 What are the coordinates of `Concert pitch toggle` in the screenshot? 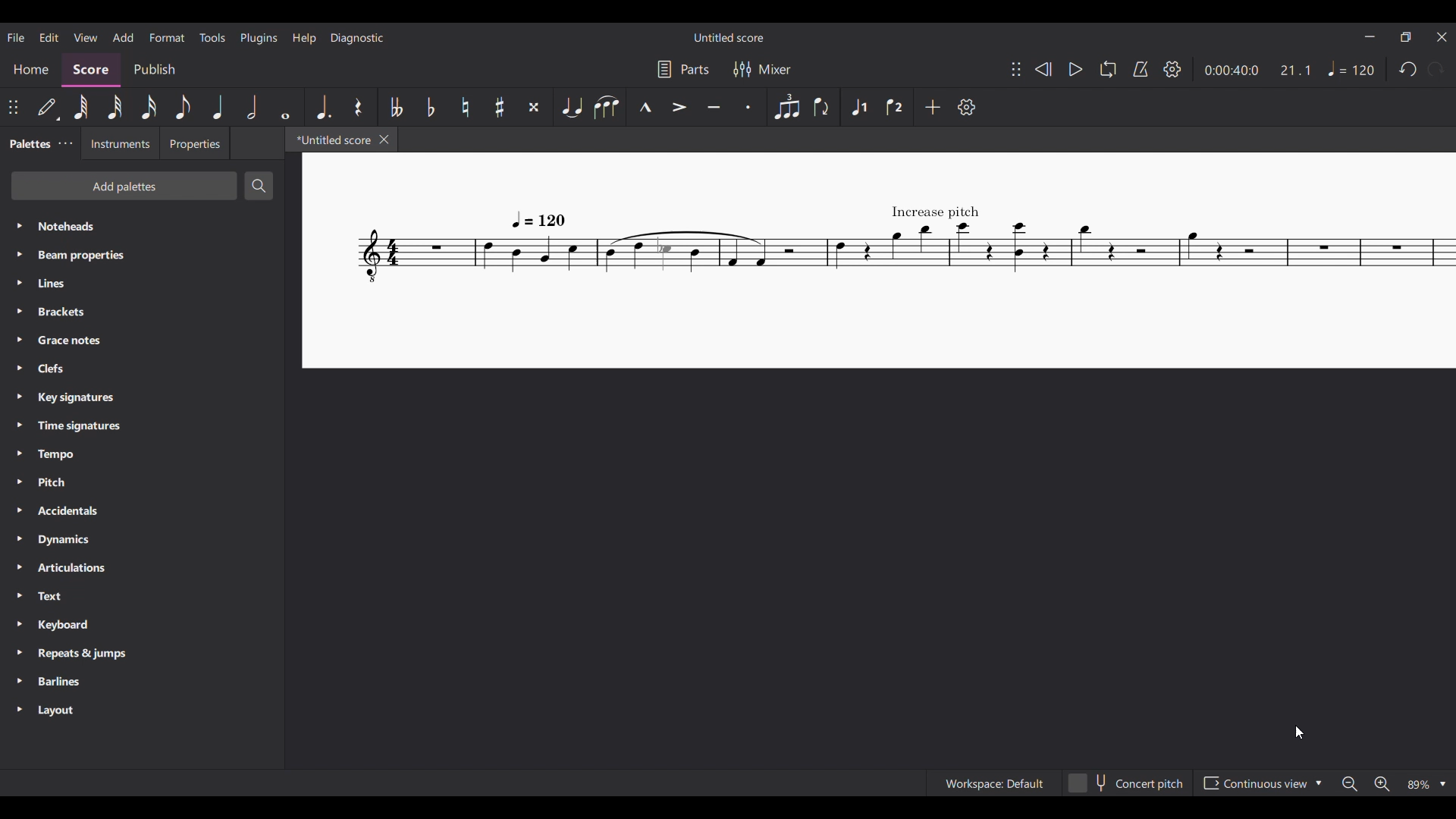 It's located at (1128, 783).